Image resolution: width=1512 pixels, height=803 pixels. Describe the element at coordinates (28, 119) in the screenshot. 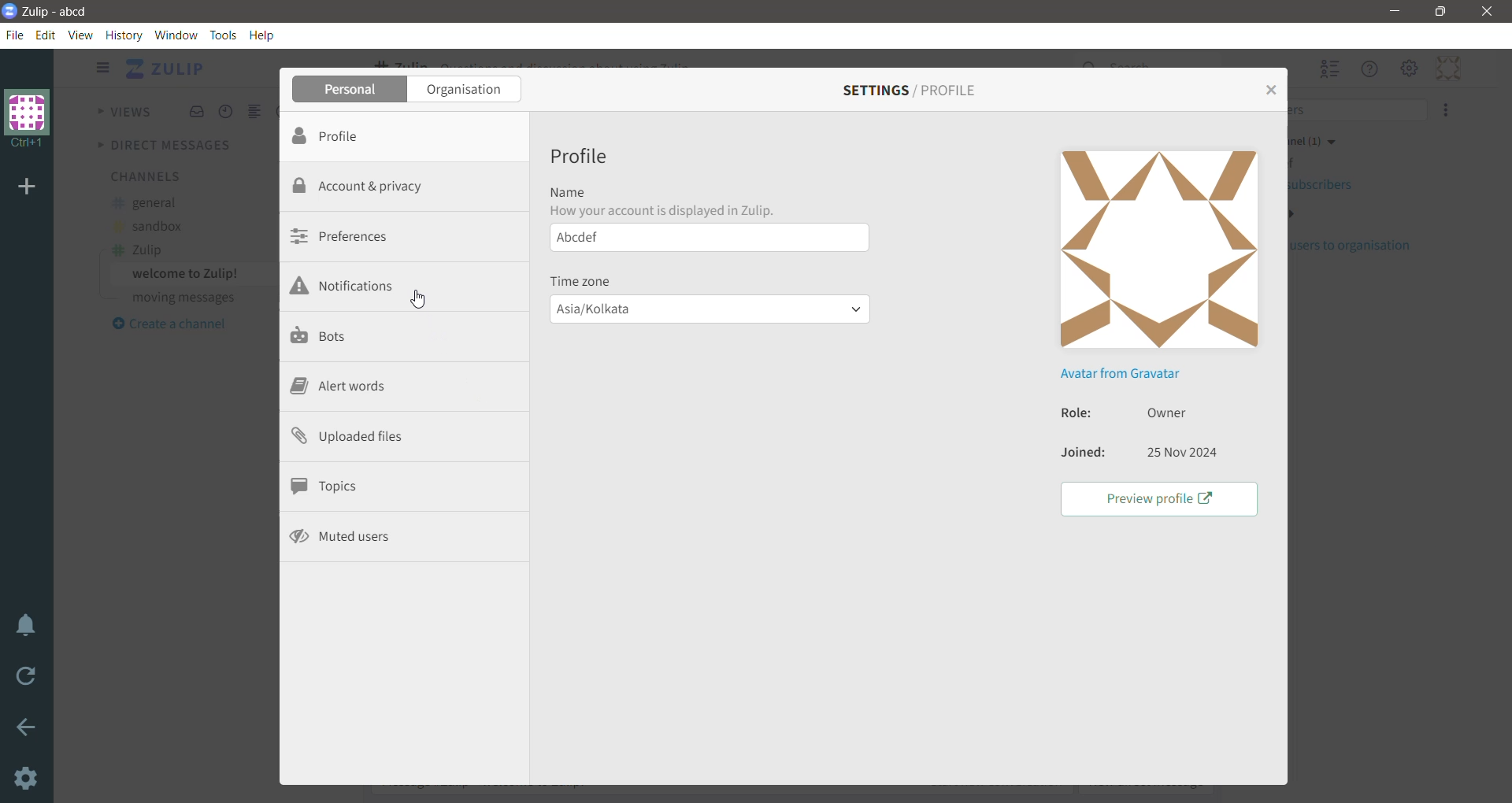

I see `Organization logo` at that location.